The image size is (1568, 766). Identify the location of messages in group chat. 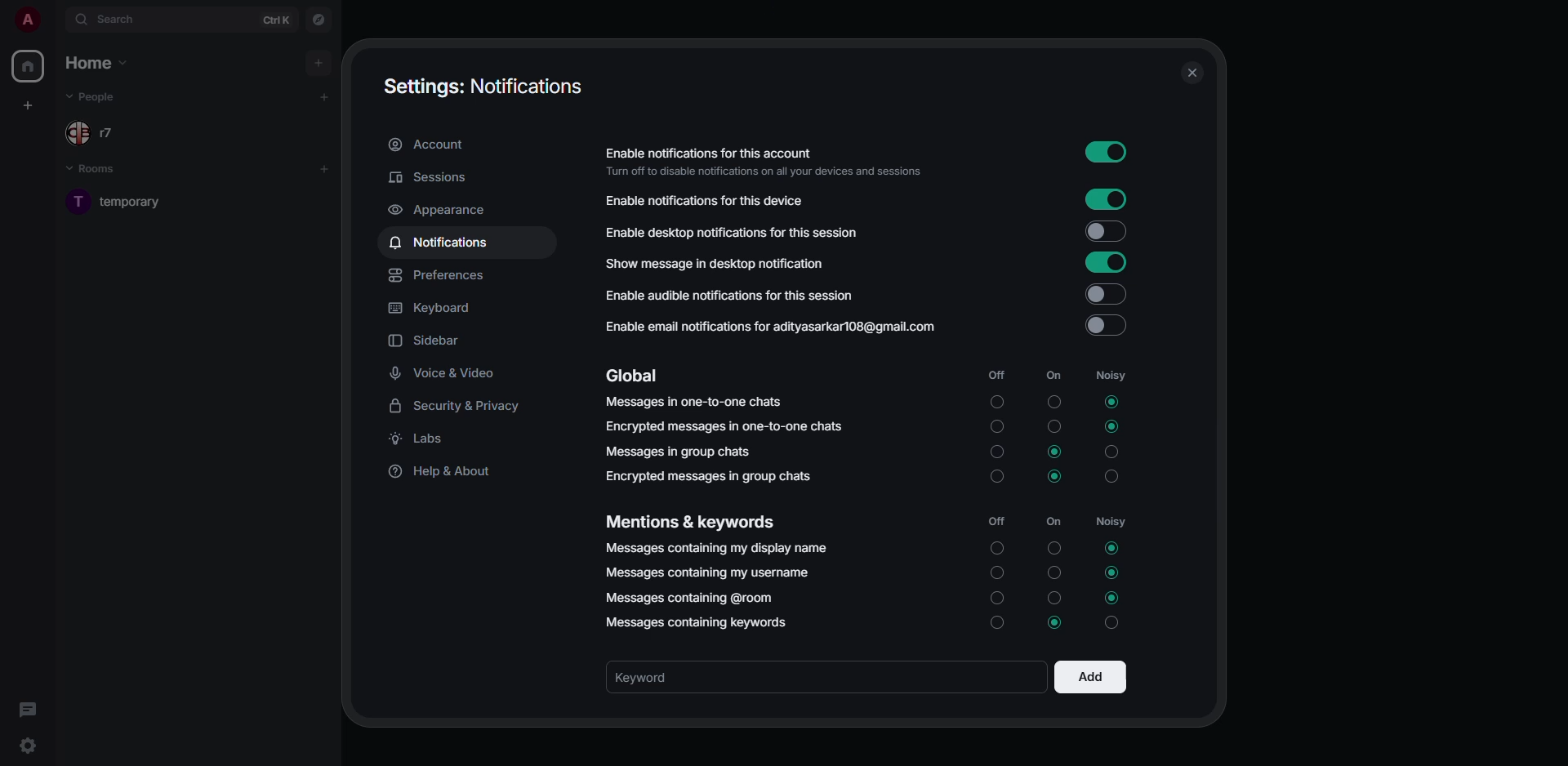
(682, 450).